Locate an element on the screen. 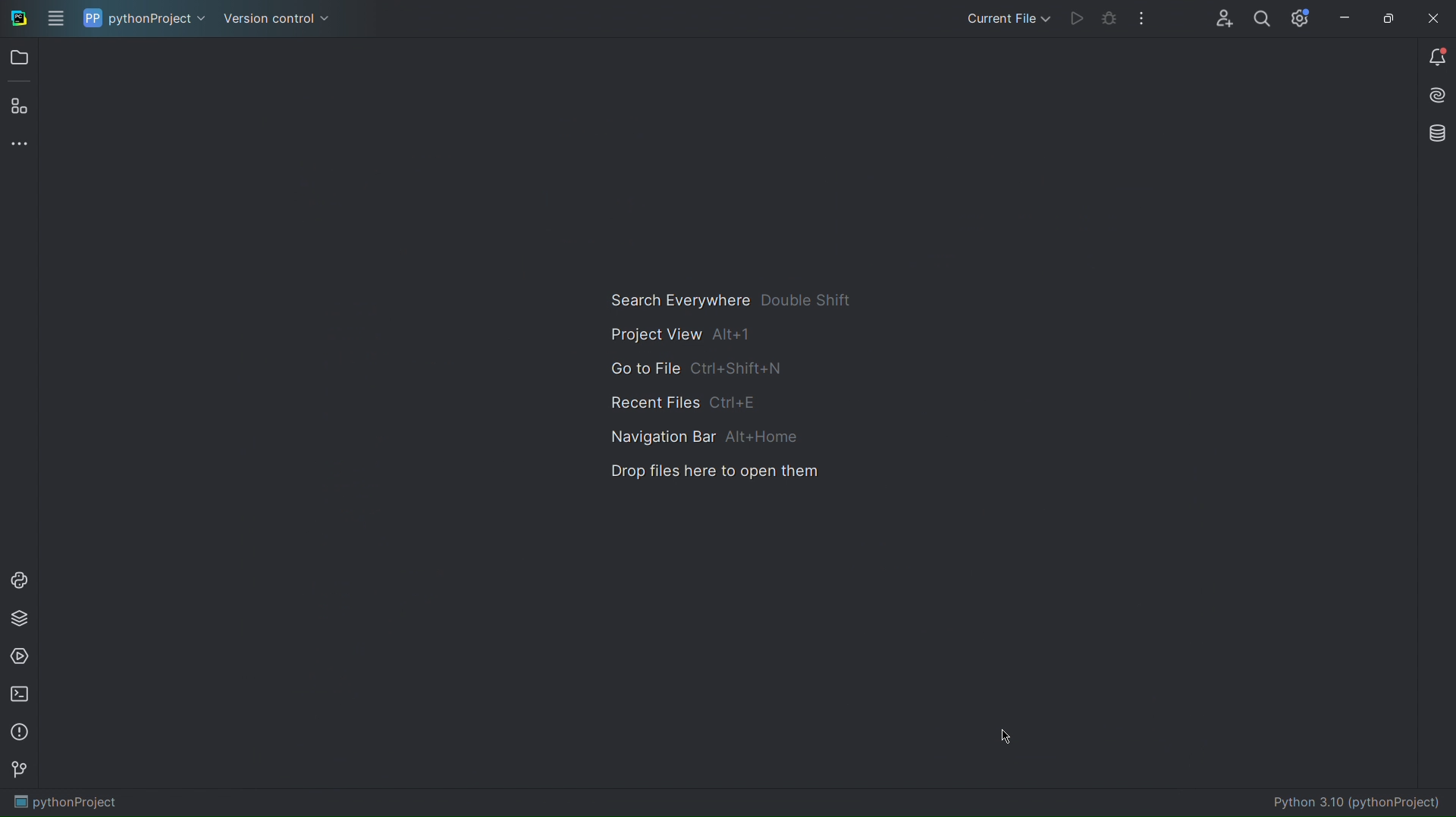 Image resolution: width=1456 pixels, height=817 pixels. Open is located at coordinates (19, 60).